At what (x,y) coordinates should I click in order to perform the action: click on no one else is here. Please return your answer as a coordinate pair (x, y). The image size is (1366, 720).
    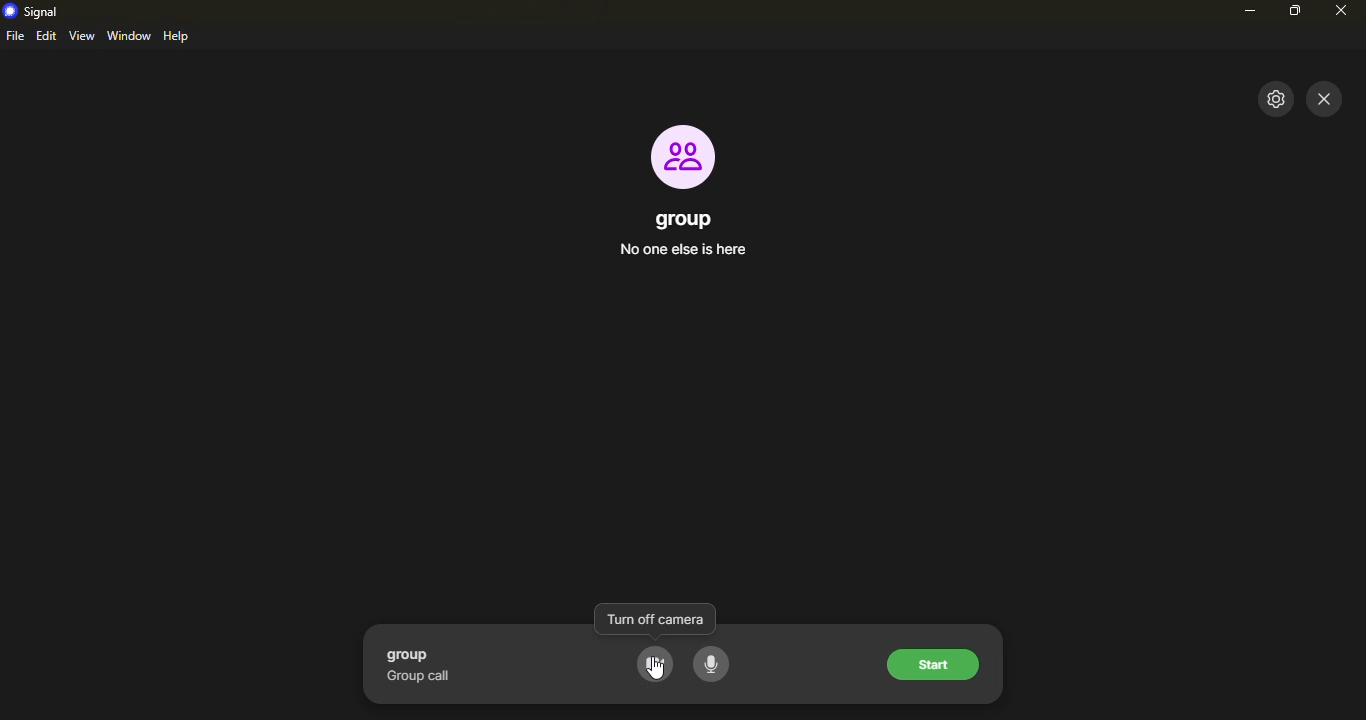
    Looking at the image, I should click on (685, 252).